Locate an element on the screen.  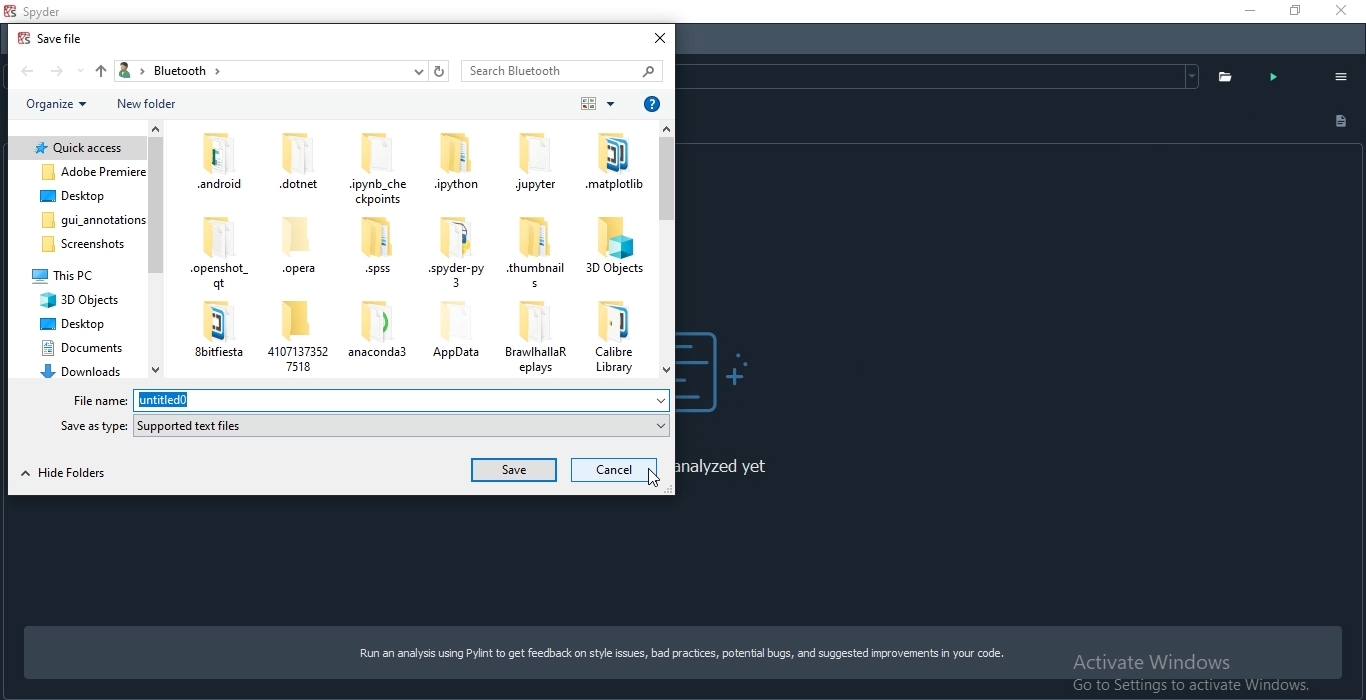
save file is located at coordinates (51, 38).